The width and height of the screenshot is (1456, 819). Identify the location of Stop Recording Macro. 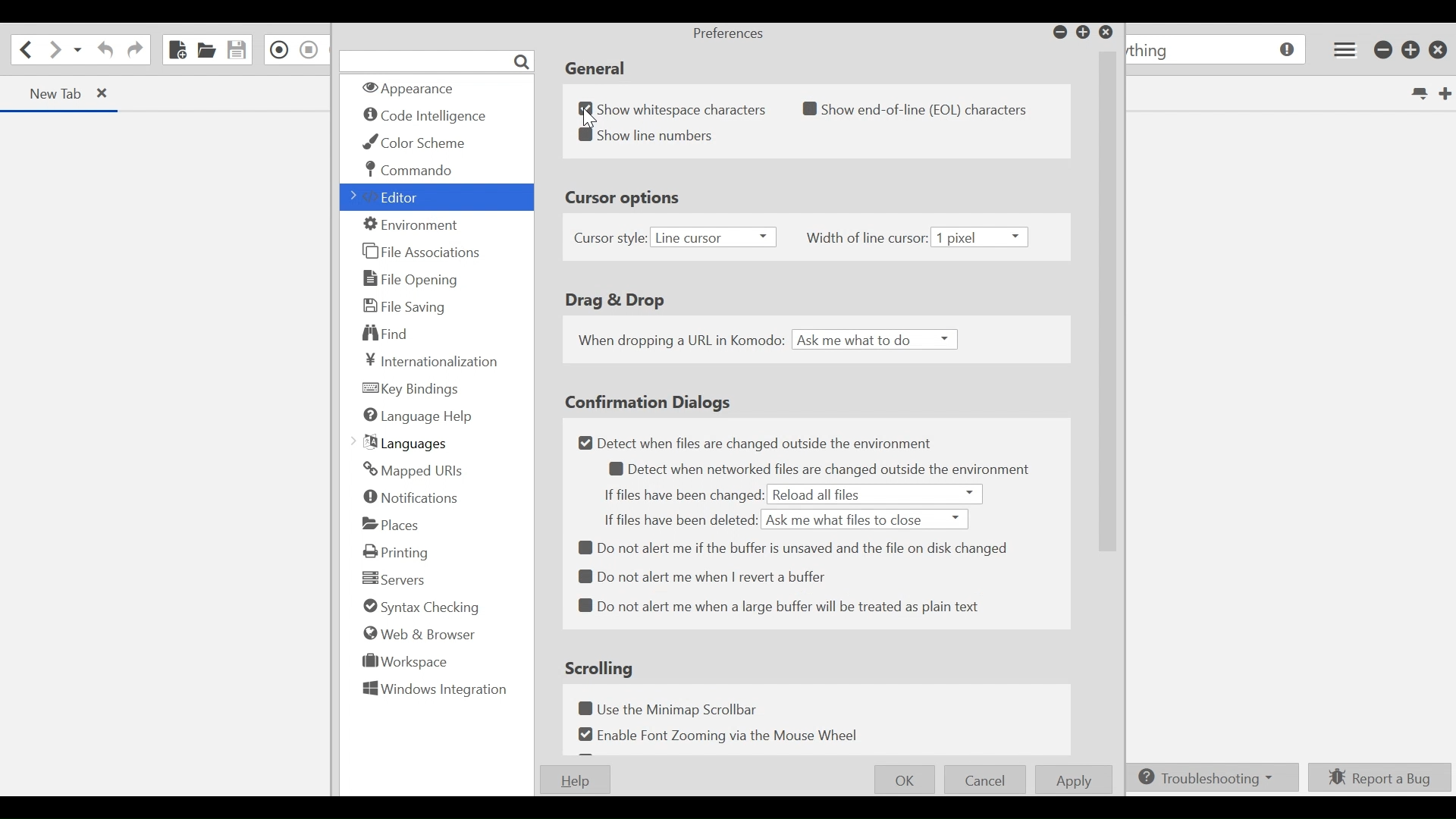
(309, 49).